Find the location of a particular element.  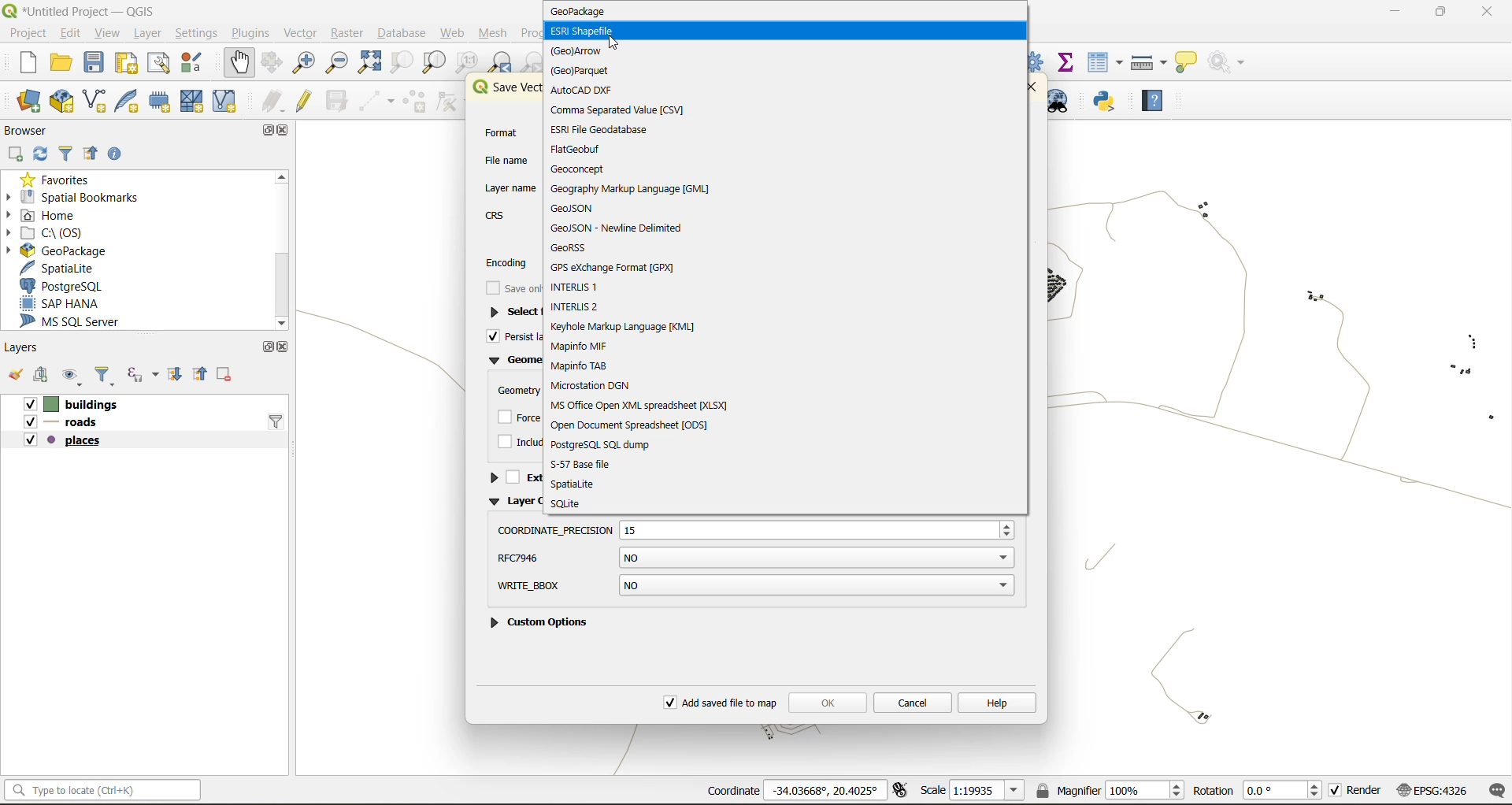

 roads is located at coordinates (68, 423).